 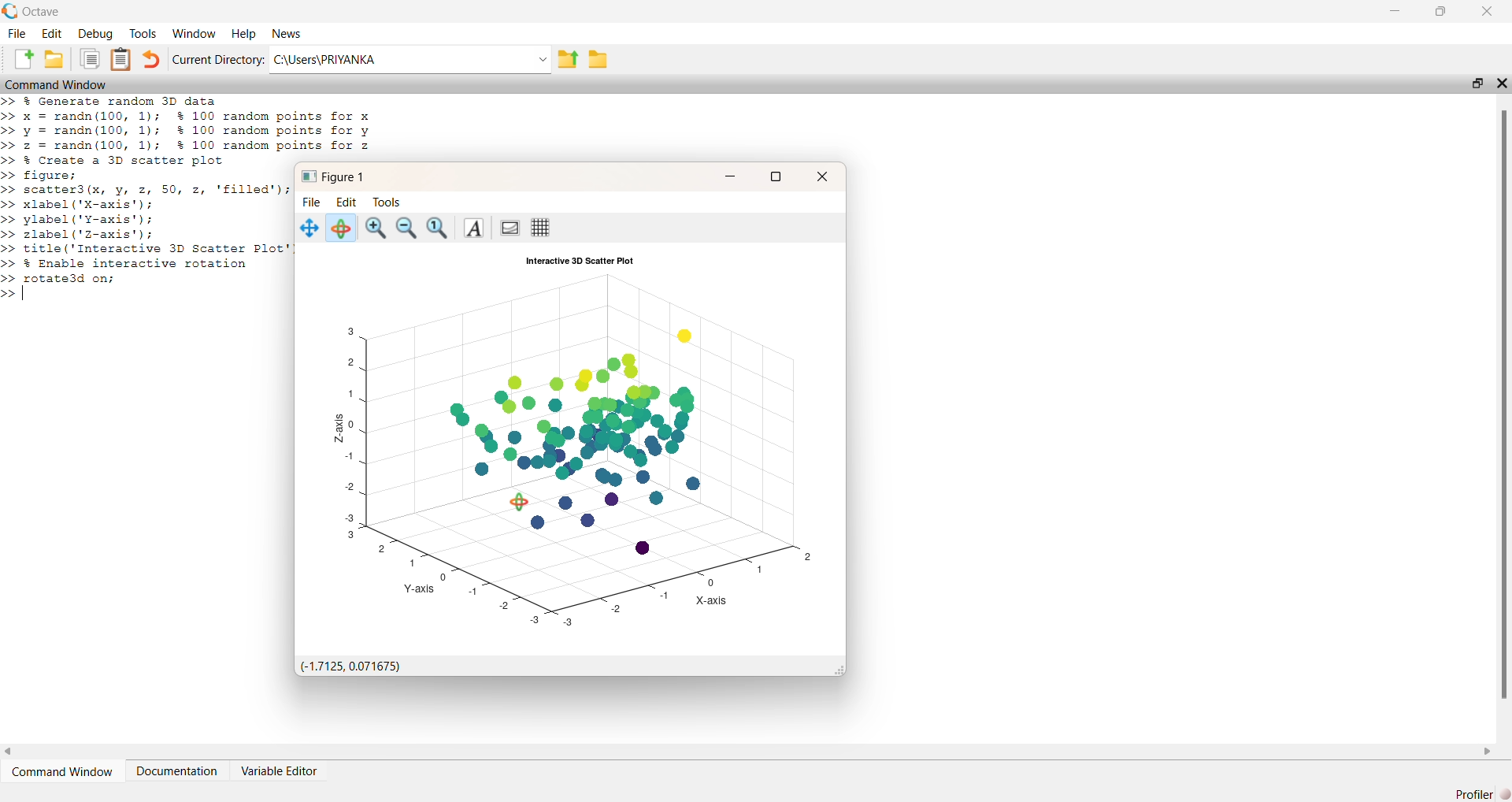 I want to click on Command Window, so click(x=55, y=84).